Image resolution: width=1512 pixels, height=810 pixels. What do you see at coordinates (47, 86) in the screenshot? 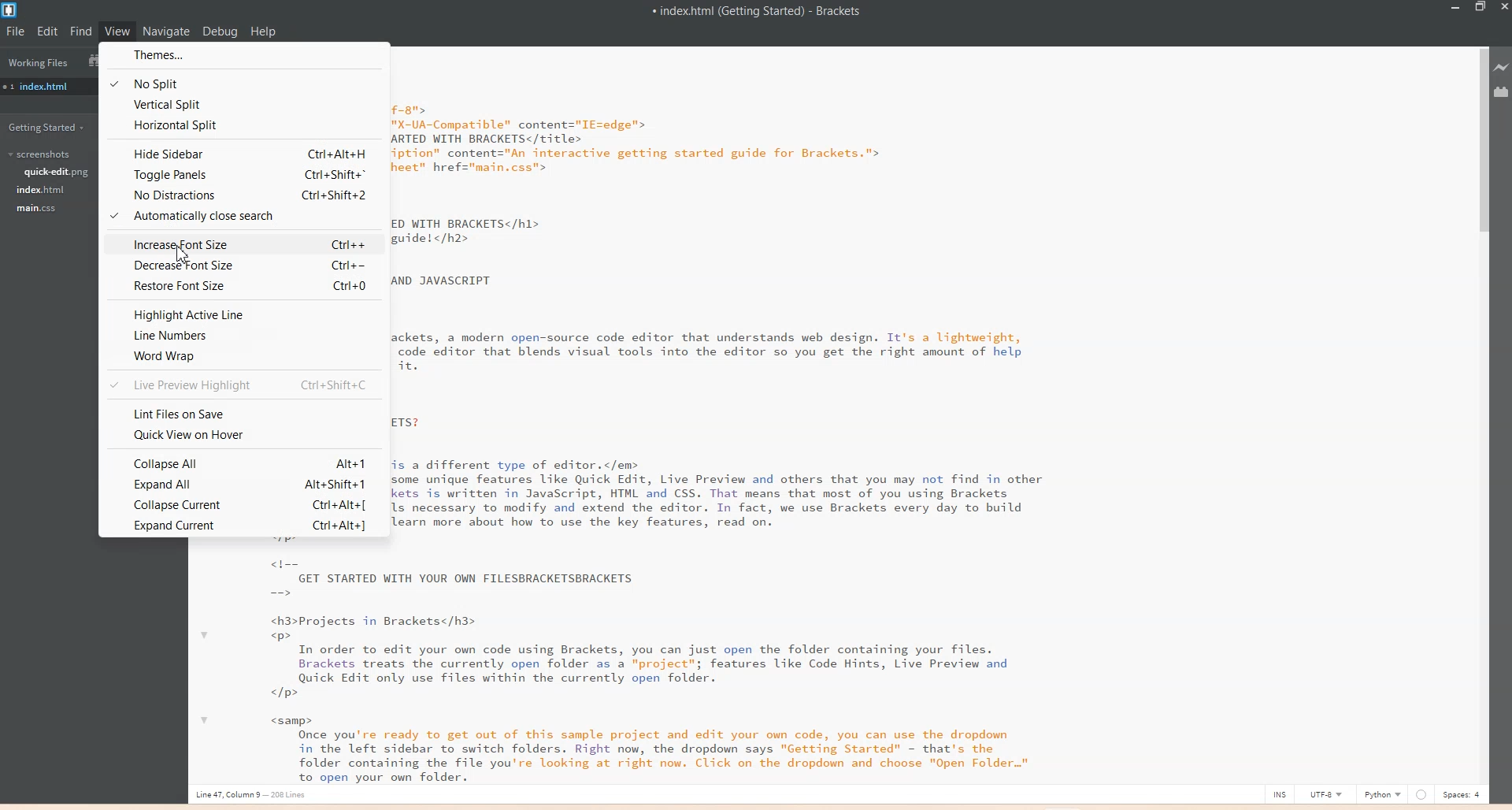
I see `index.html` at bounding box center [47, 86].